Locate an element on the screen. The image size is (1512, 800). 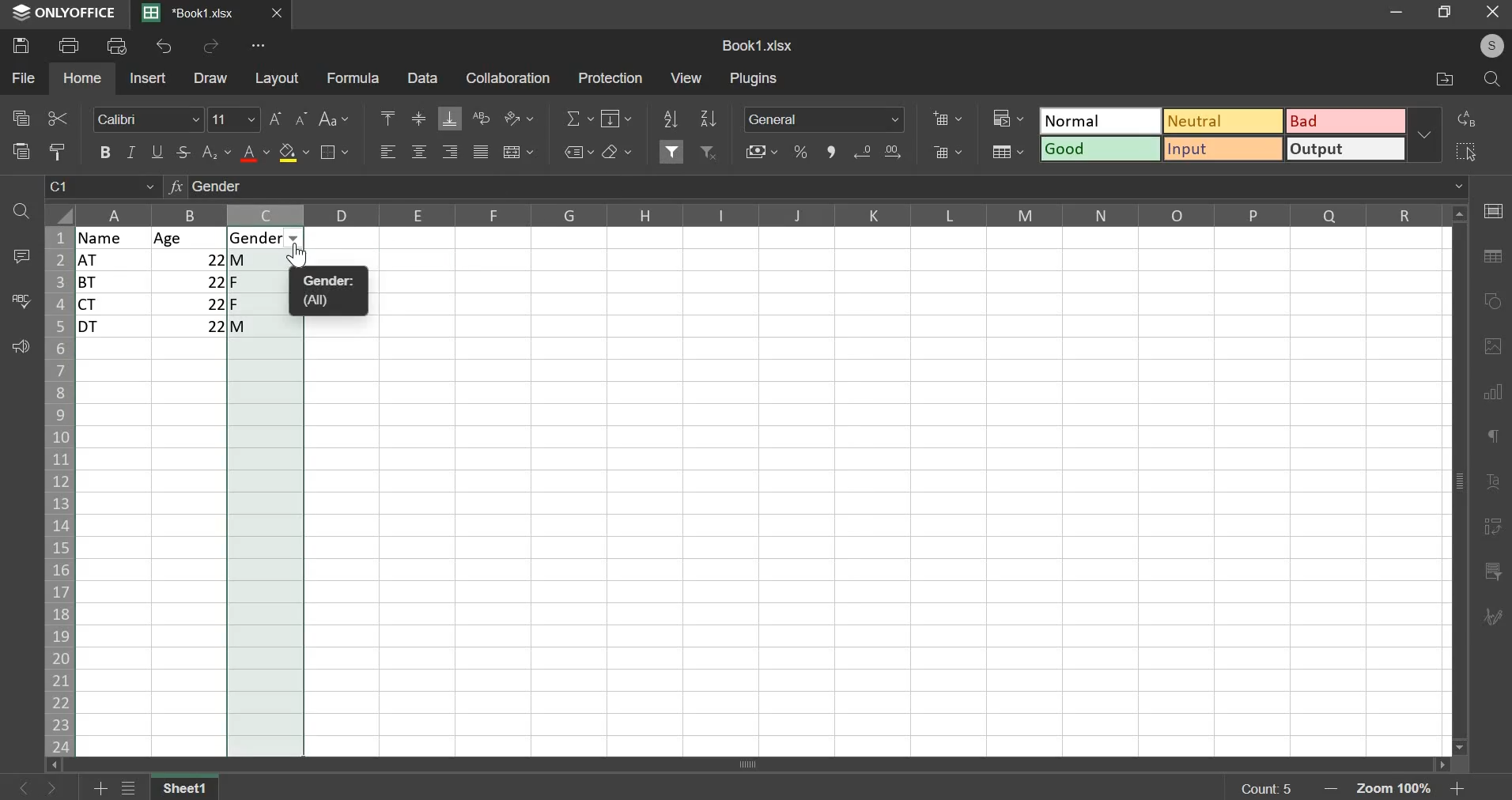
rows is located at coordinates (57, 492).